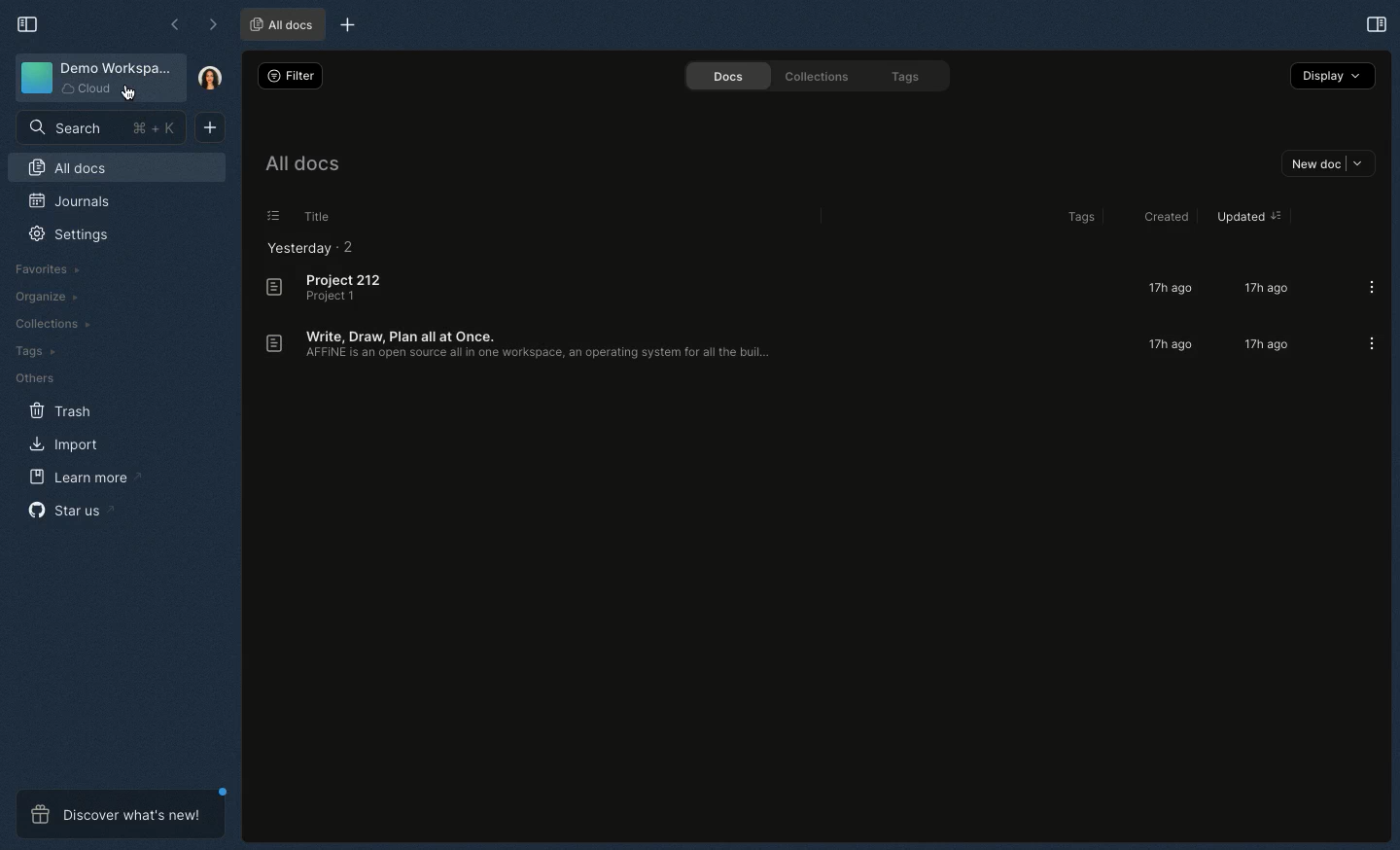  Describe the element at coordinates (1326, 164) in the screenshot. I see `New doc` at that location.